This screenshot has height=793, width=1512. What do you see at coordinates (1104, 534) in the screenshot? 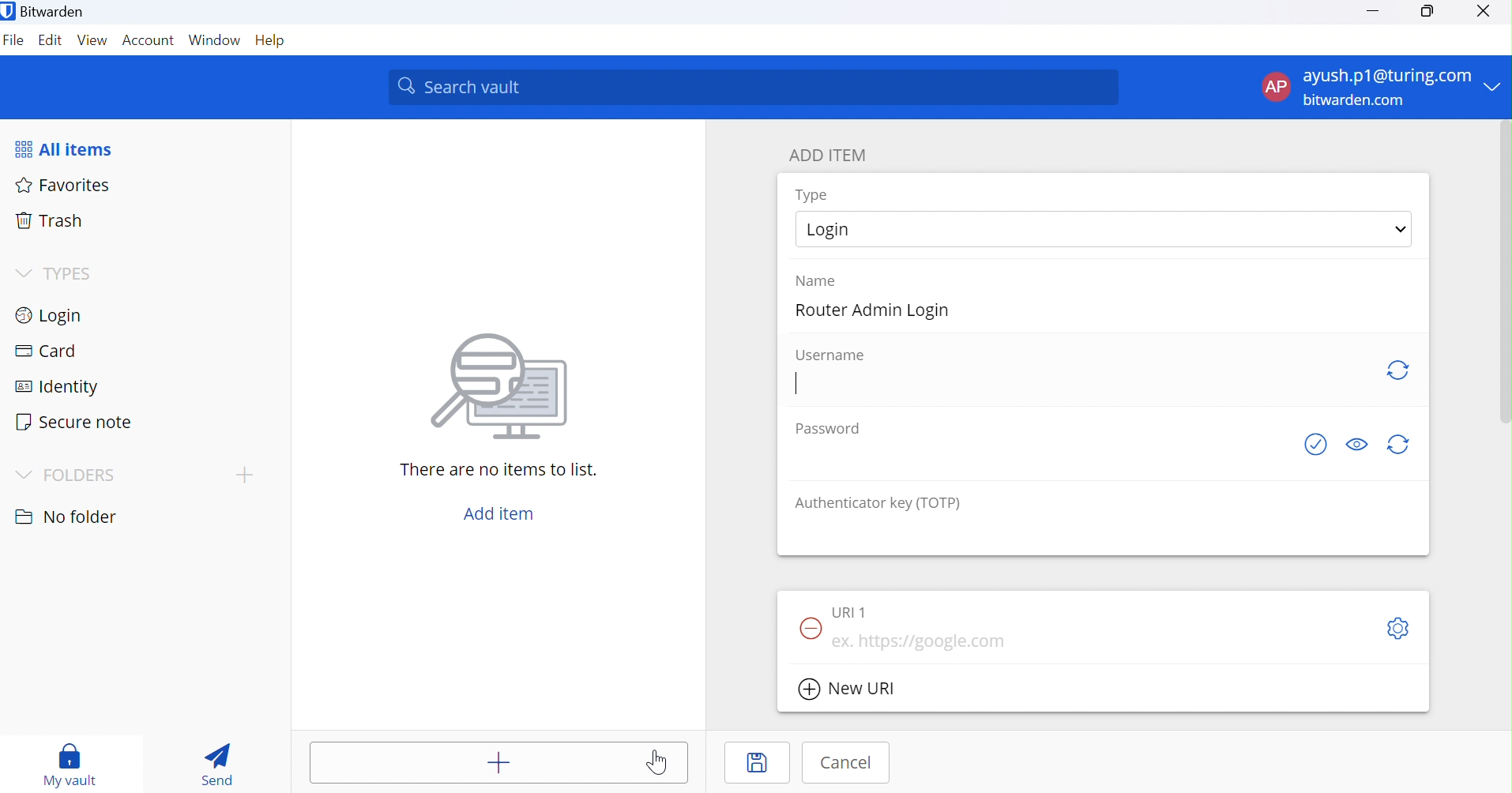
I see `add authenticator key (TOTP)` at bounding box center [1104, 534].